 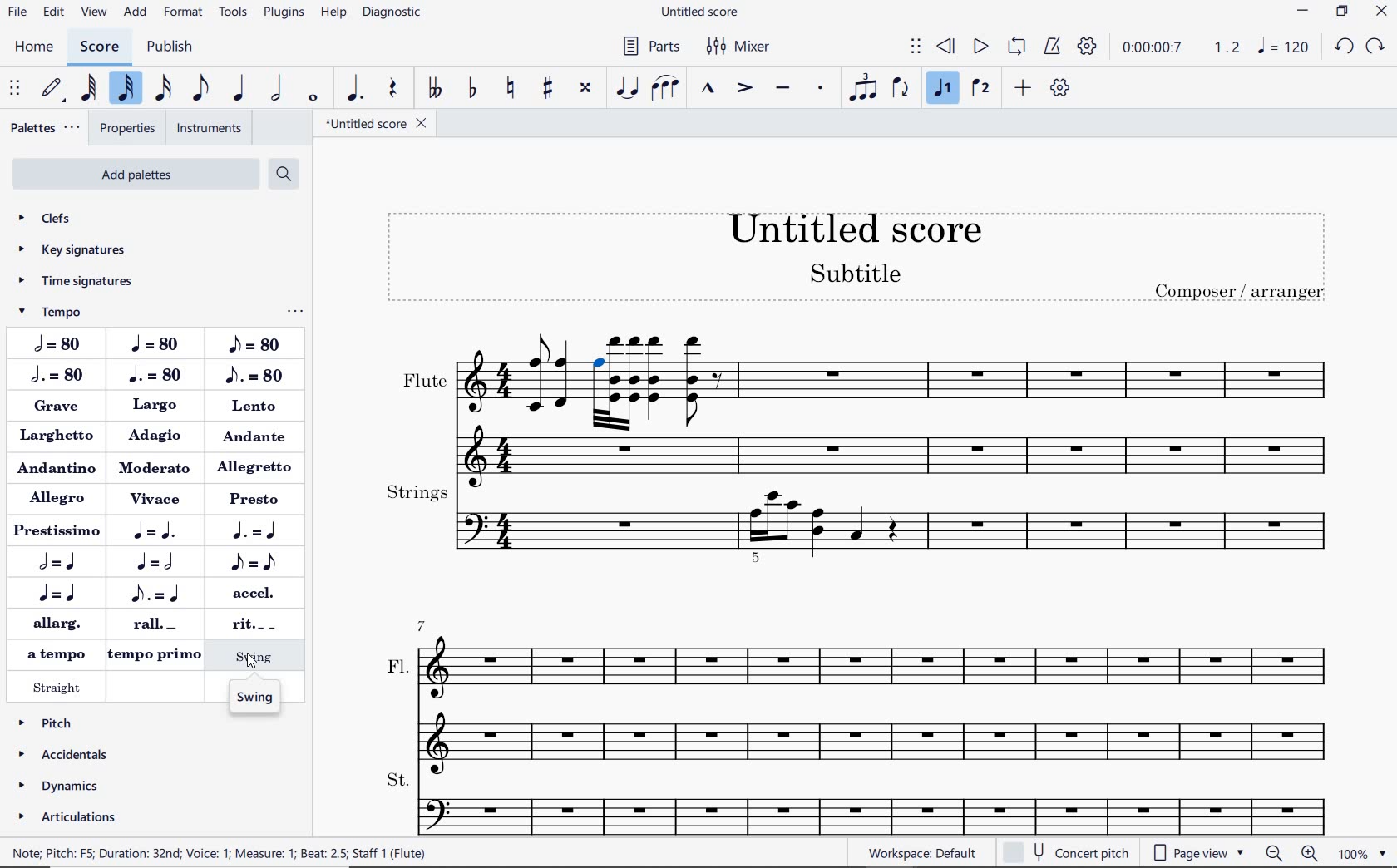 I want to click on edit, so click(x=52, y=11).